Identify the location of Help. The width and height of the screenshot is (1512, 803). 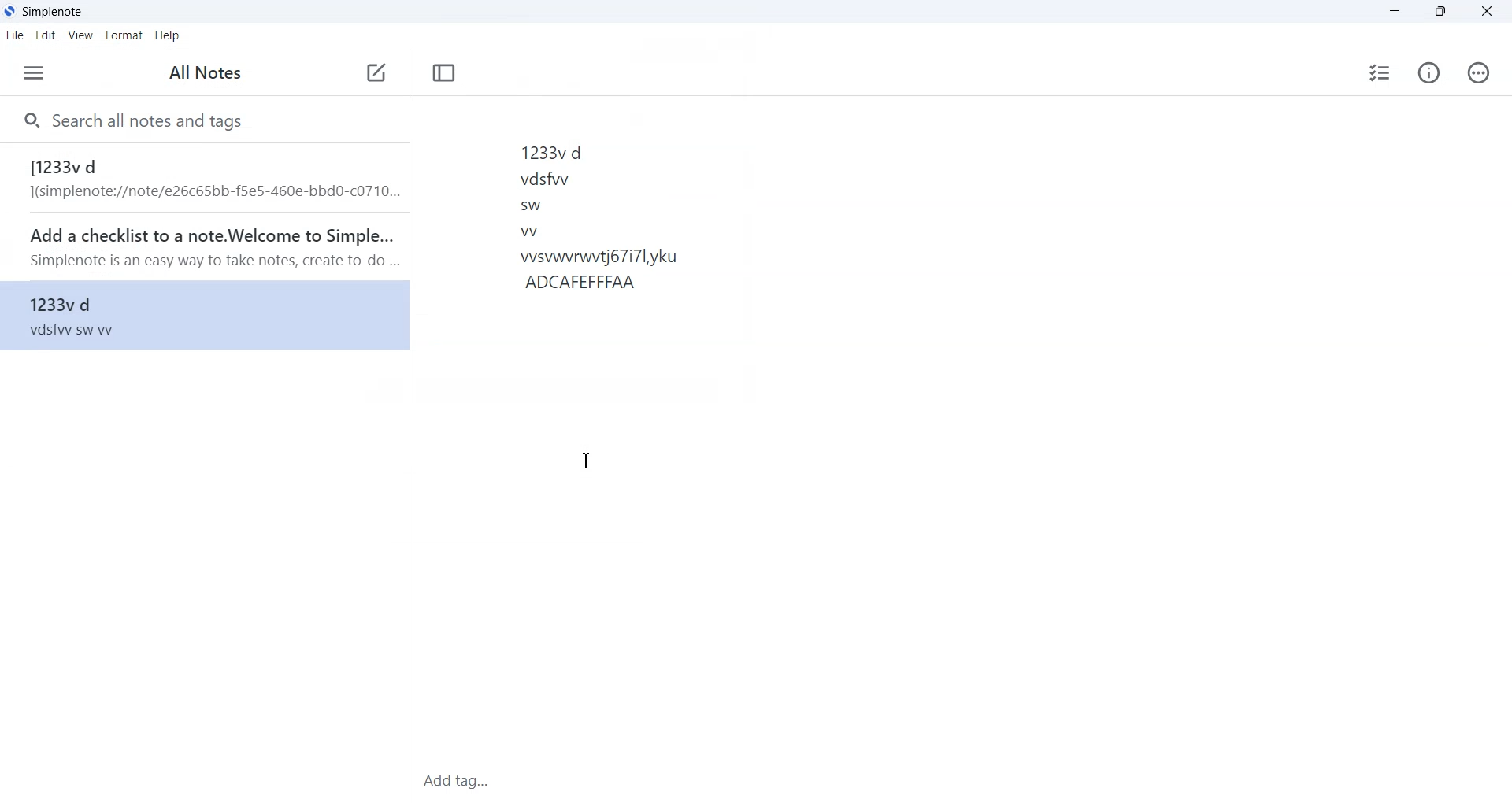
(167, 35).